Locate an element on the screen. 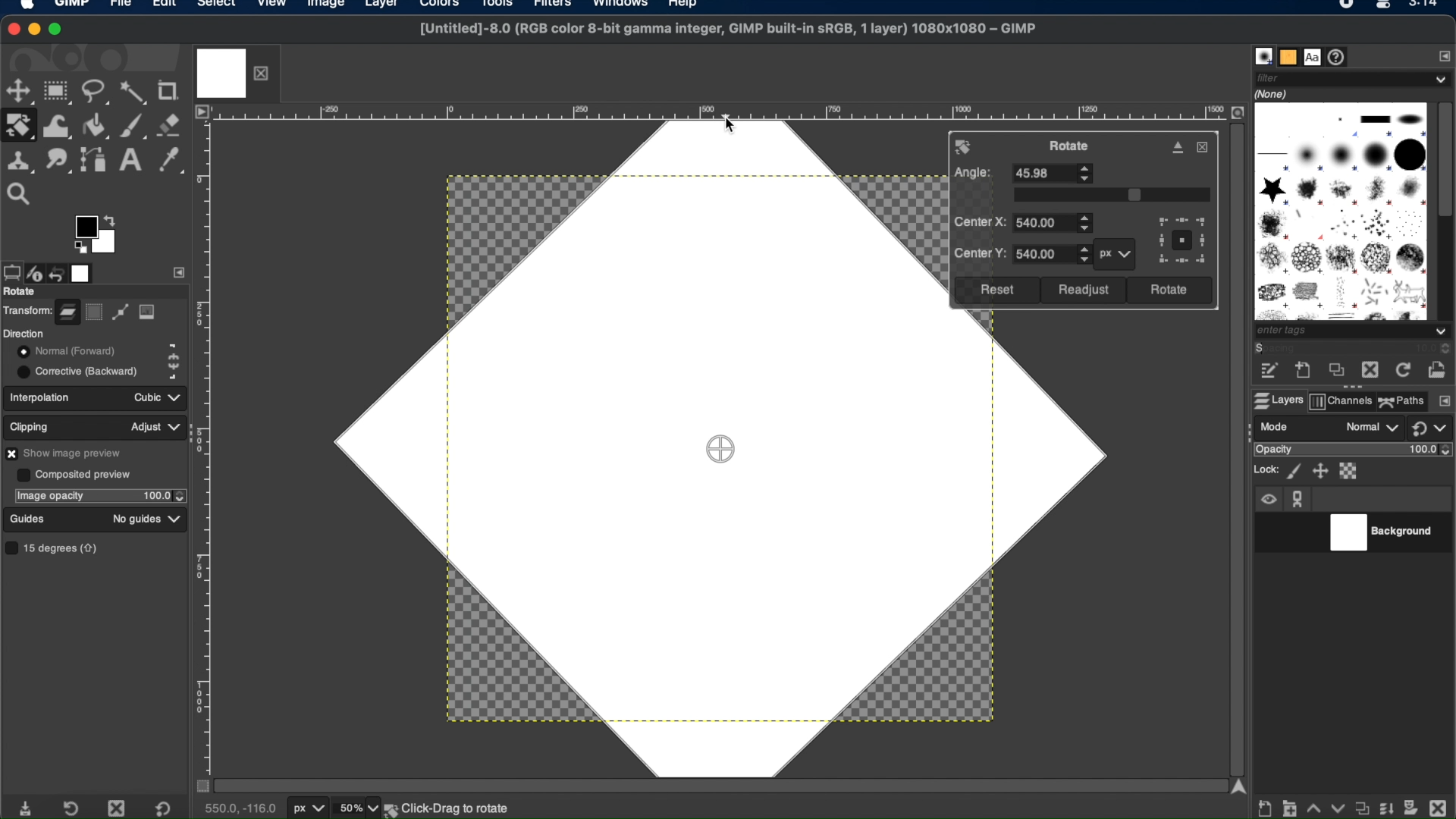 This screenshot has width=1456, height=819. direction is located at coordinates (24, 333).